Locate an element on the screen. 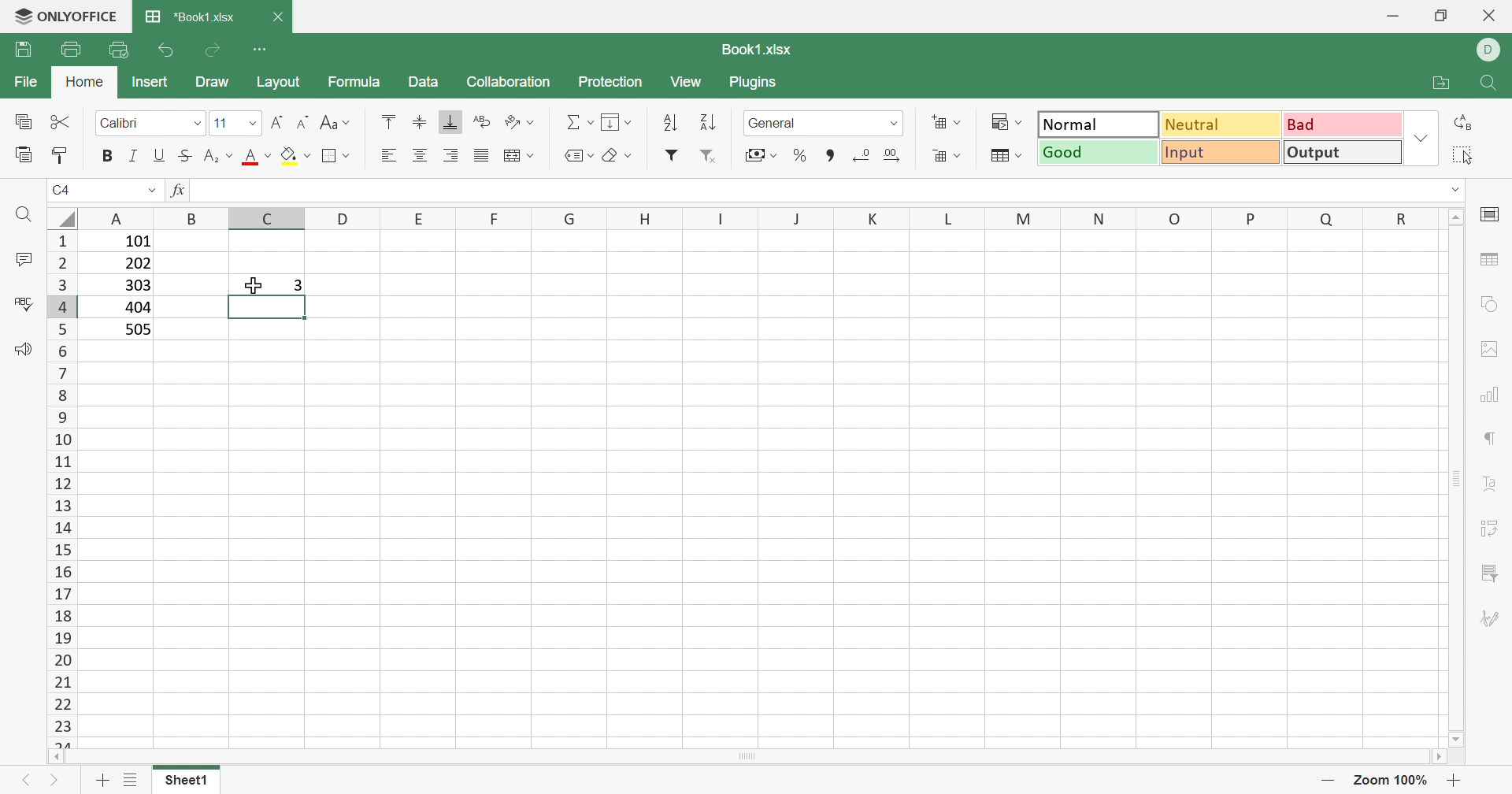  Select all is located at coordinates (1466, 155).